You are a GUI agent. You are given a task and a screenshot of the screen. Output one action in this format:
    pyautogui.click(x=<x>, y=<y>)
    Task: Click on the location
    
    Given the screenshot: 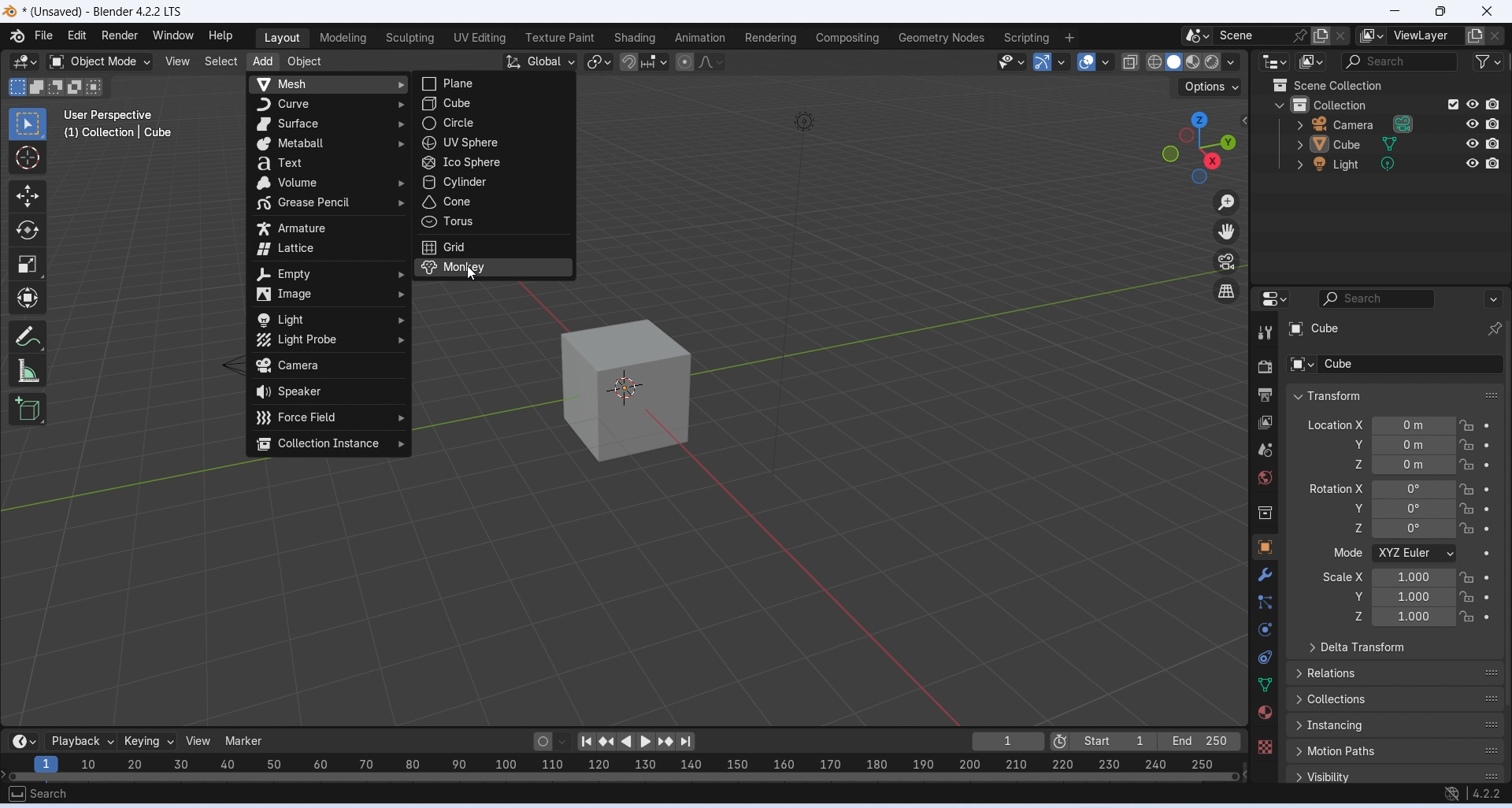 What is the action you would take?
    pyautogui.click(x=1415, y=425)
    